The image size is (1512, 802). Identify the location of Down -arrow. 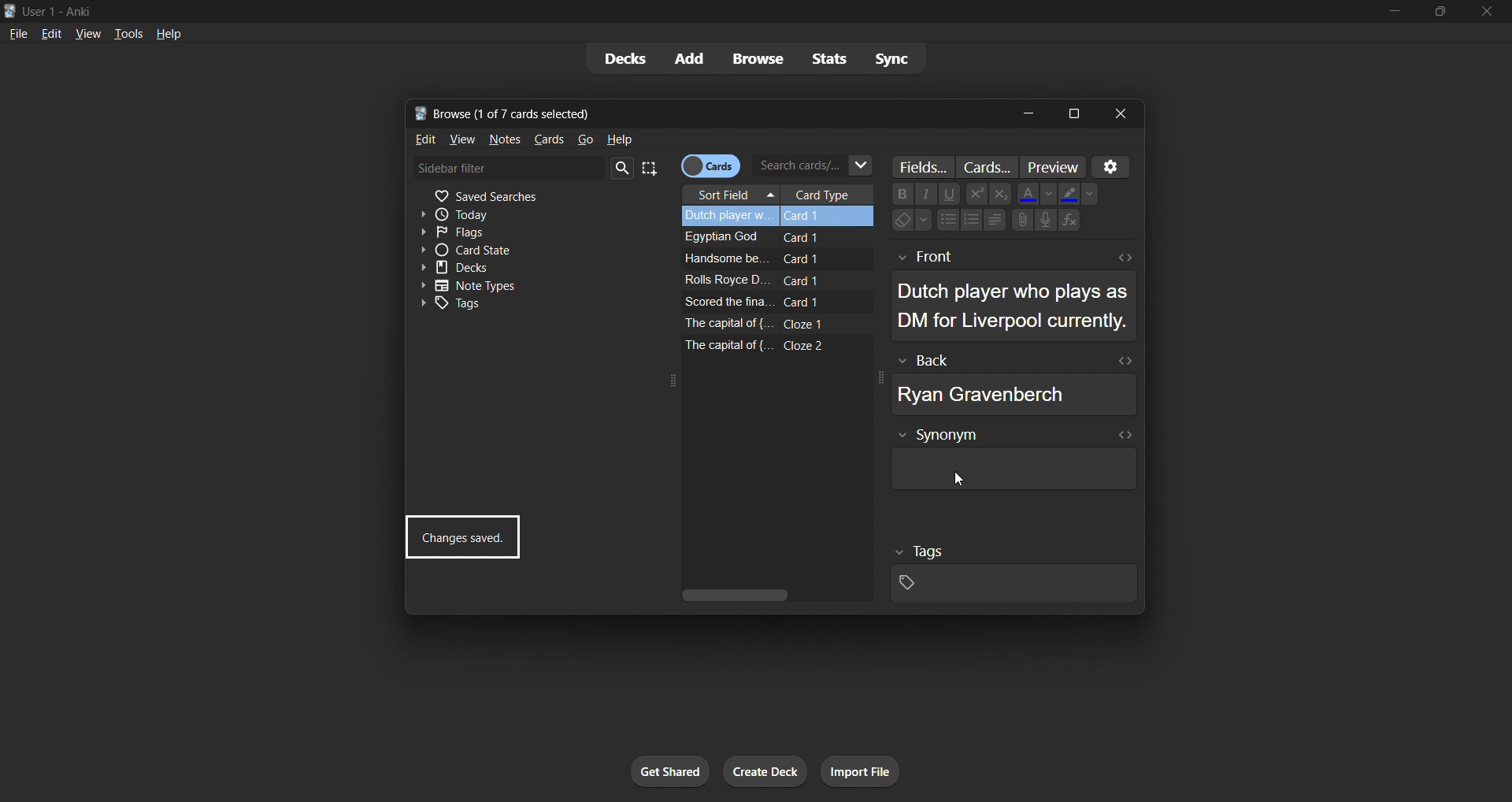
(1046, 194).